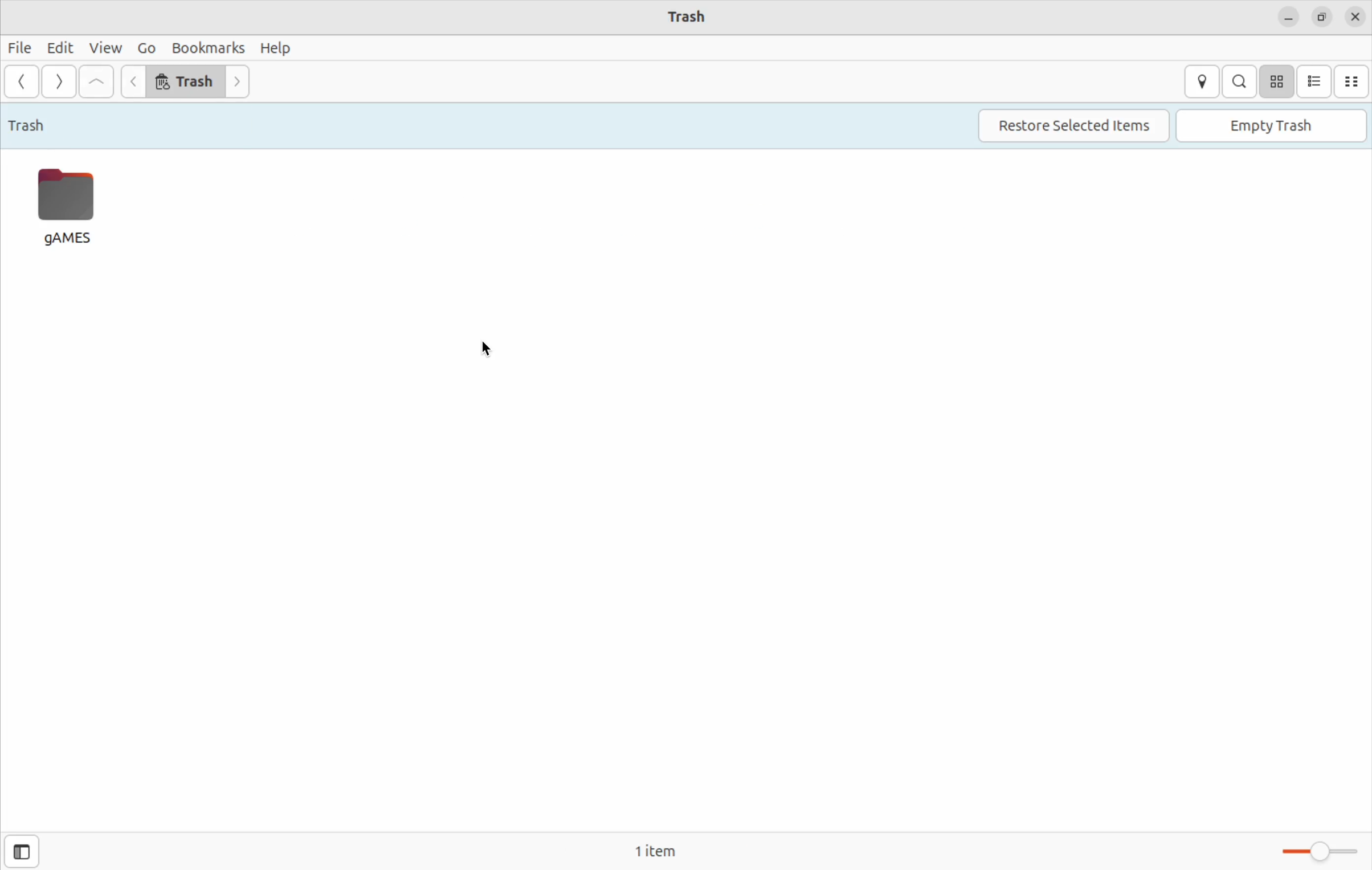  I want to click on help, so click(276, 48).